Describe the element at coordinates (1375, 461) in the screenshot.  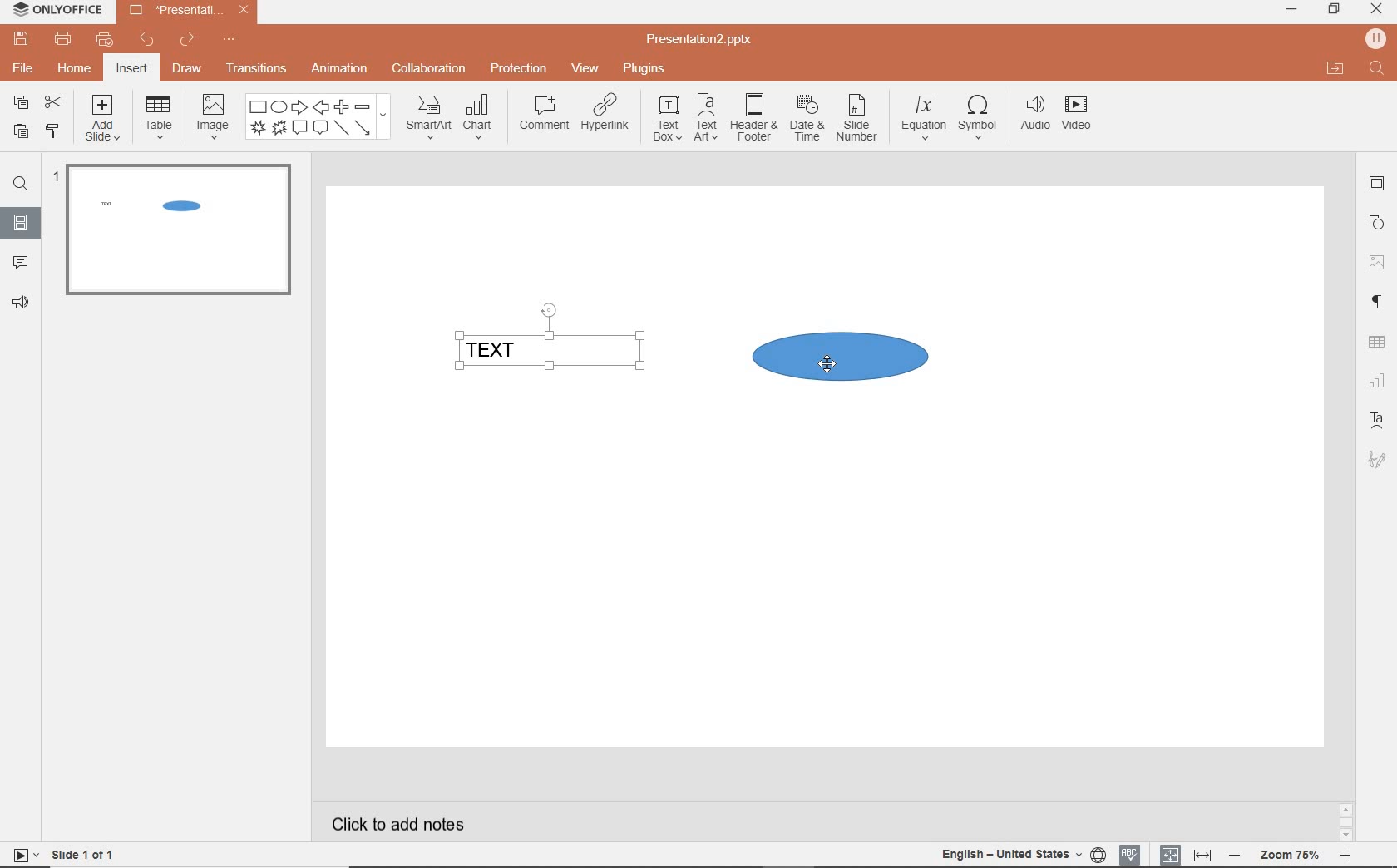
I see `TEXT ART` at that location.